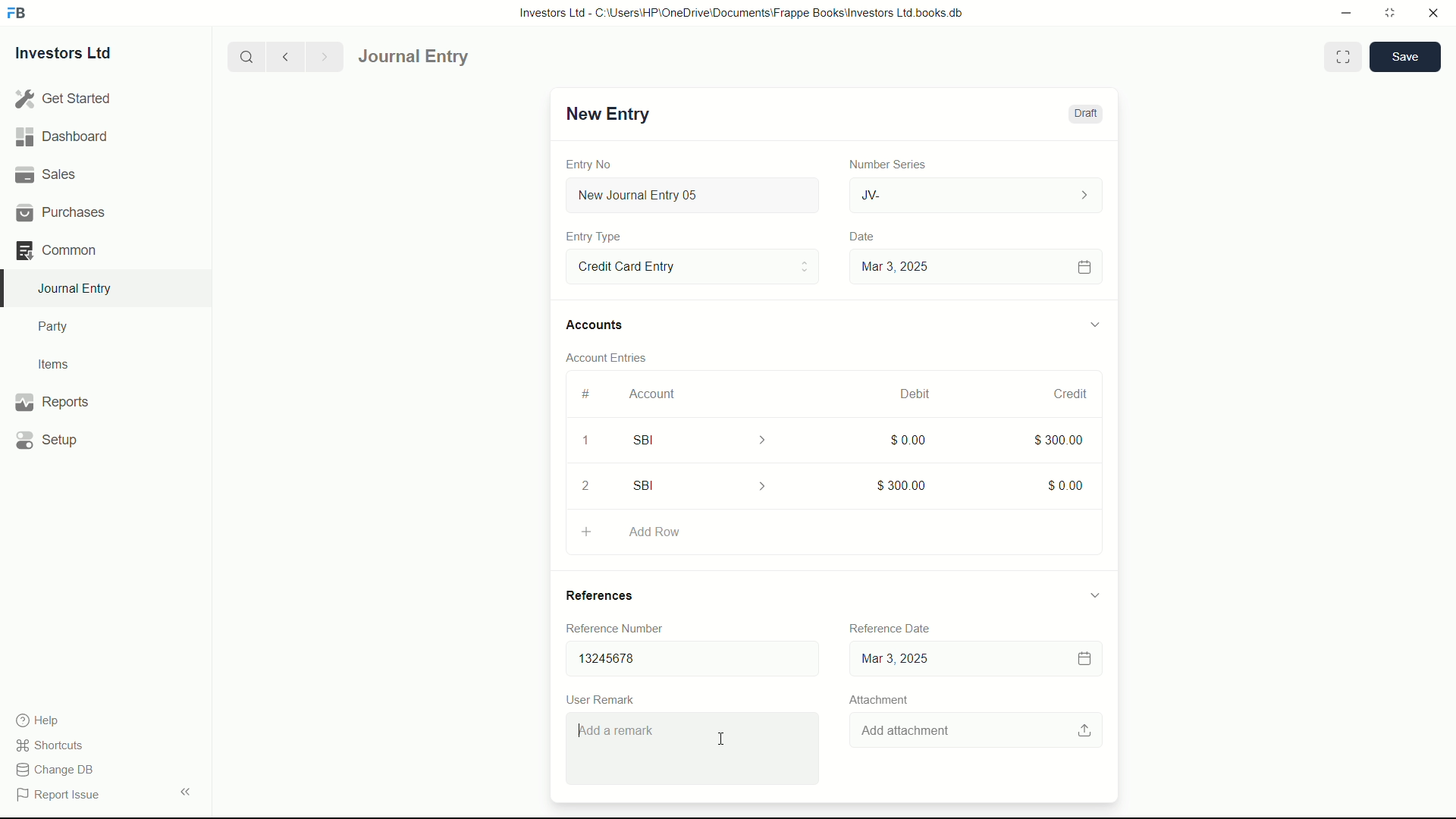 The height and width of the screenshot is (819, 1456). I want to click on Reference Number, so click(625, 628).